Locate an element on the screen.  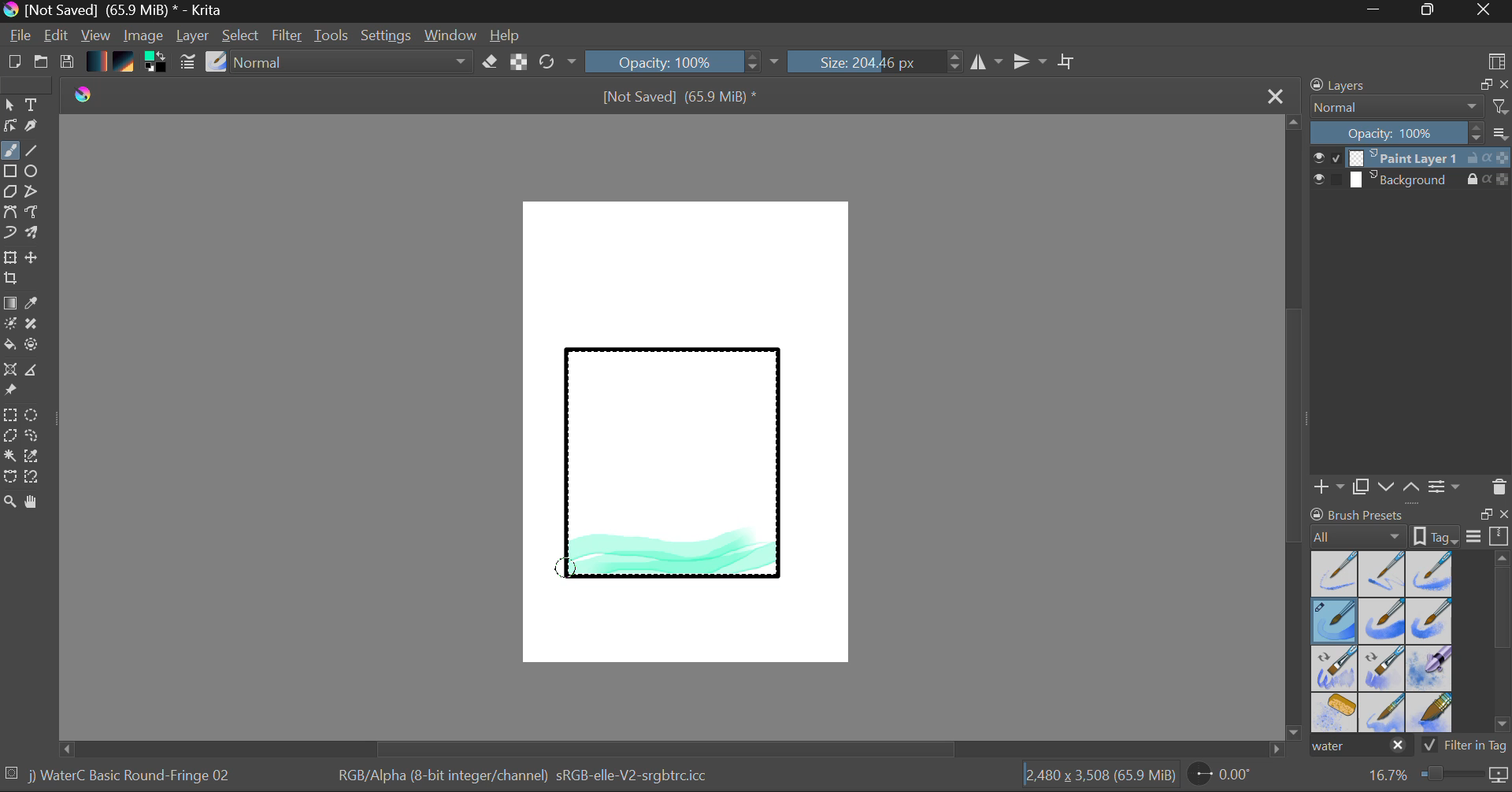
Scroll Bar is located at coordinates (1503, 645).